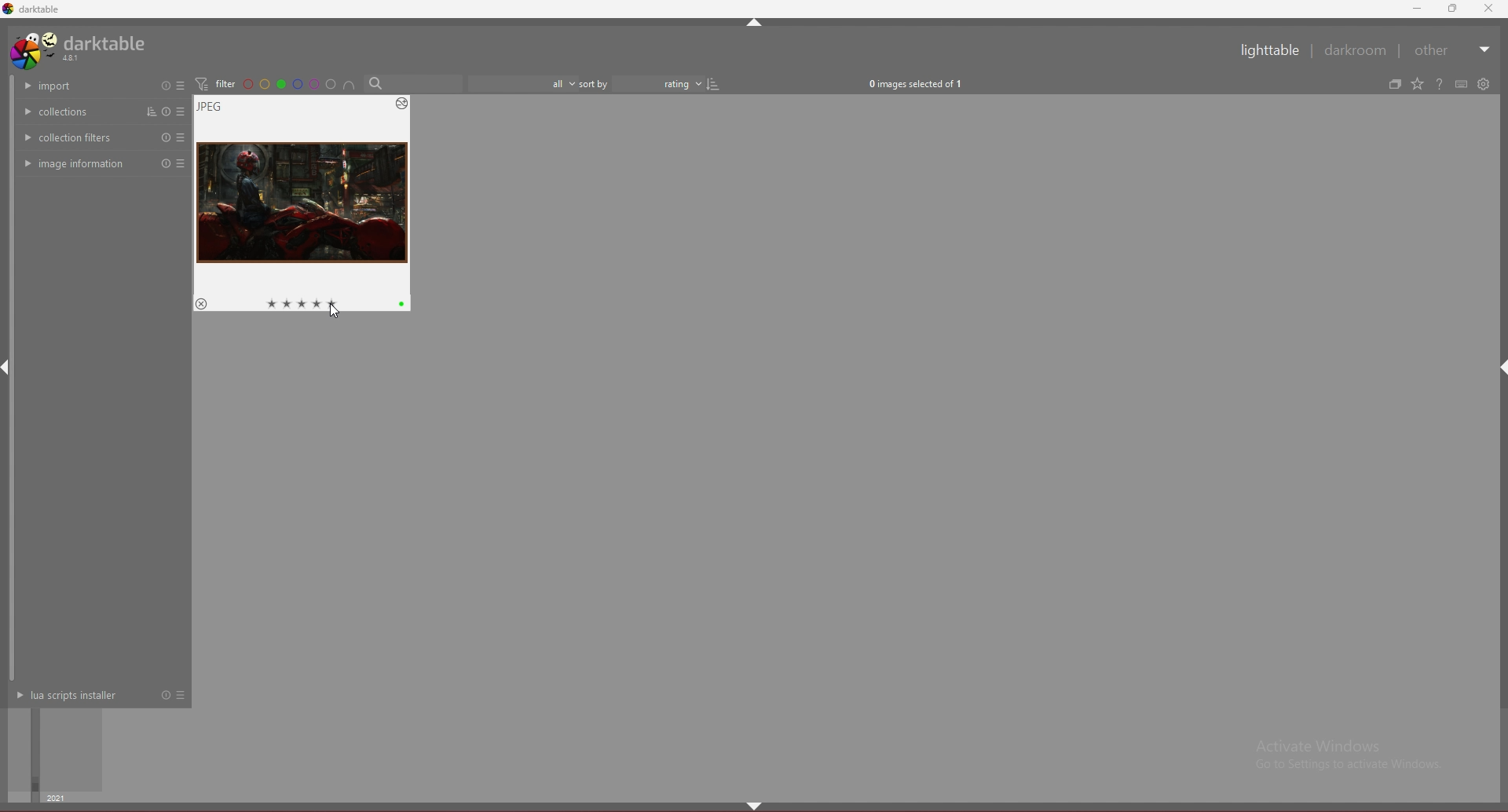 Image resolution: width=1508 pixels, height=812 pixels. I want to click on reset, so click(166, 137).